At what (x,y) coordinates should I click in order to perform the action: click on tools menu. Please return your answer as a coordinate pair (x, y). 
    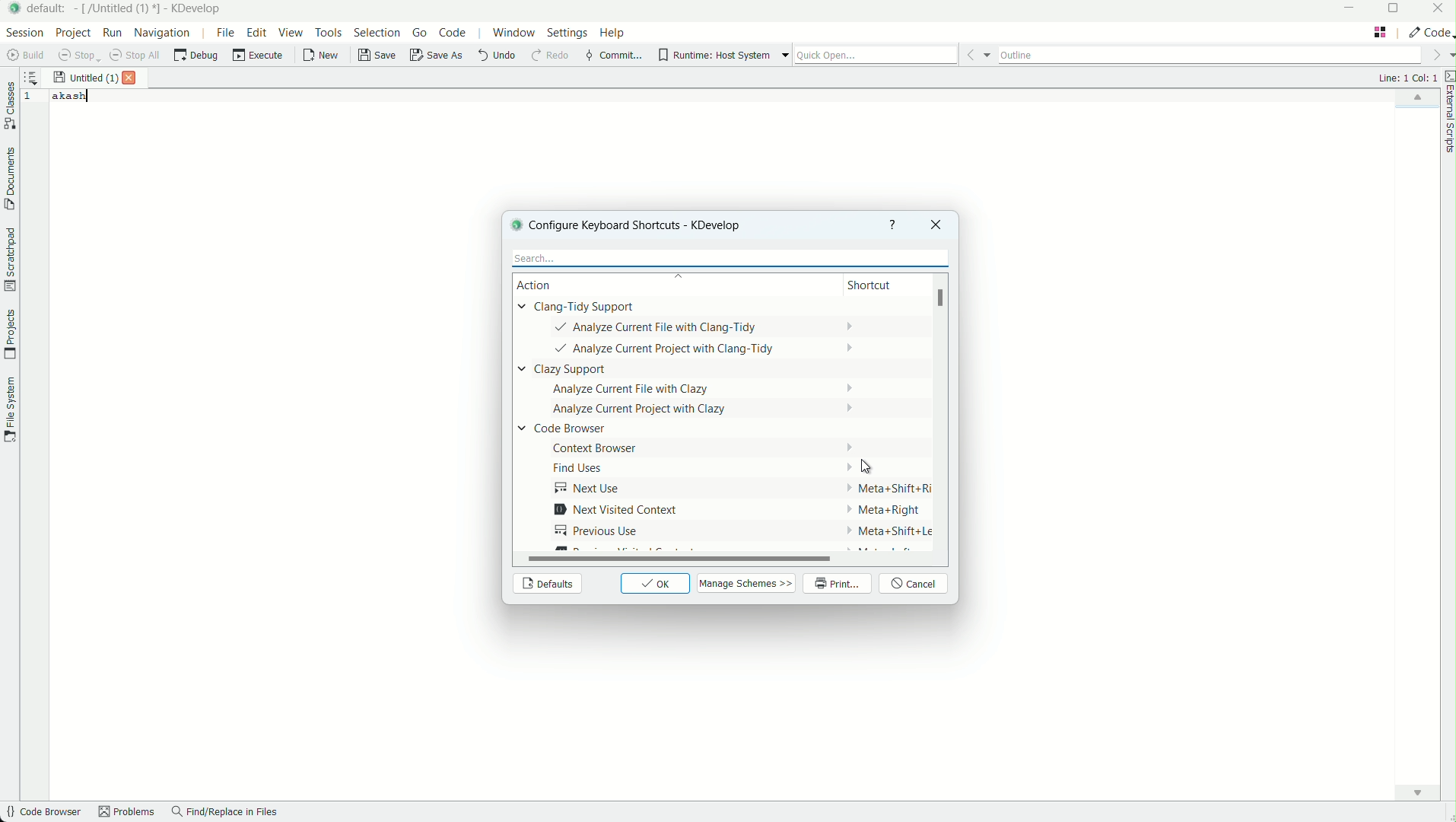
    Looking at the image, I should click on (328, 32).